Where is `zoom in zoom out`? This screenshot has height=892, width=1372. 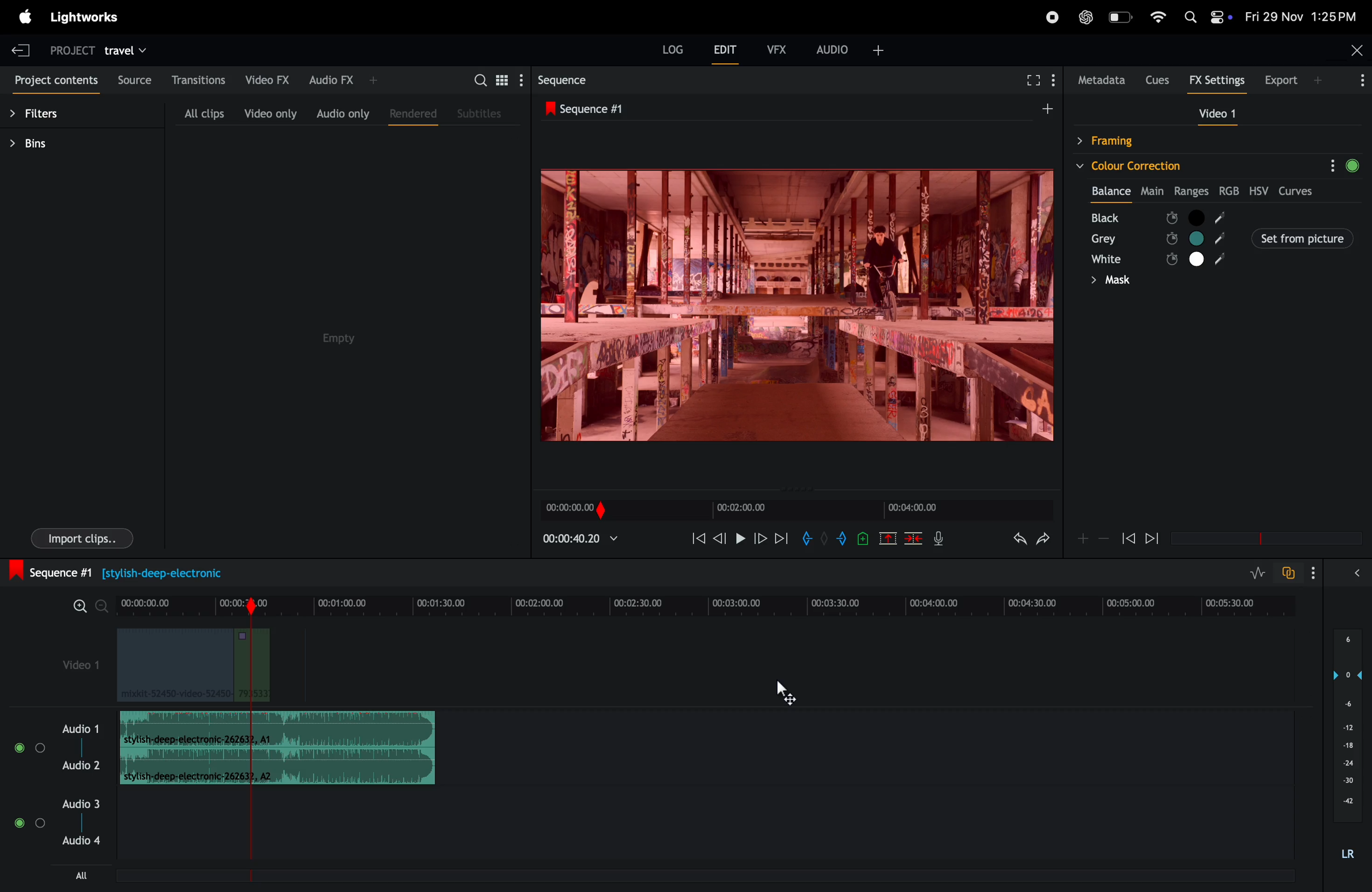
zoom in zoom out is located at coordinates (91, 606).